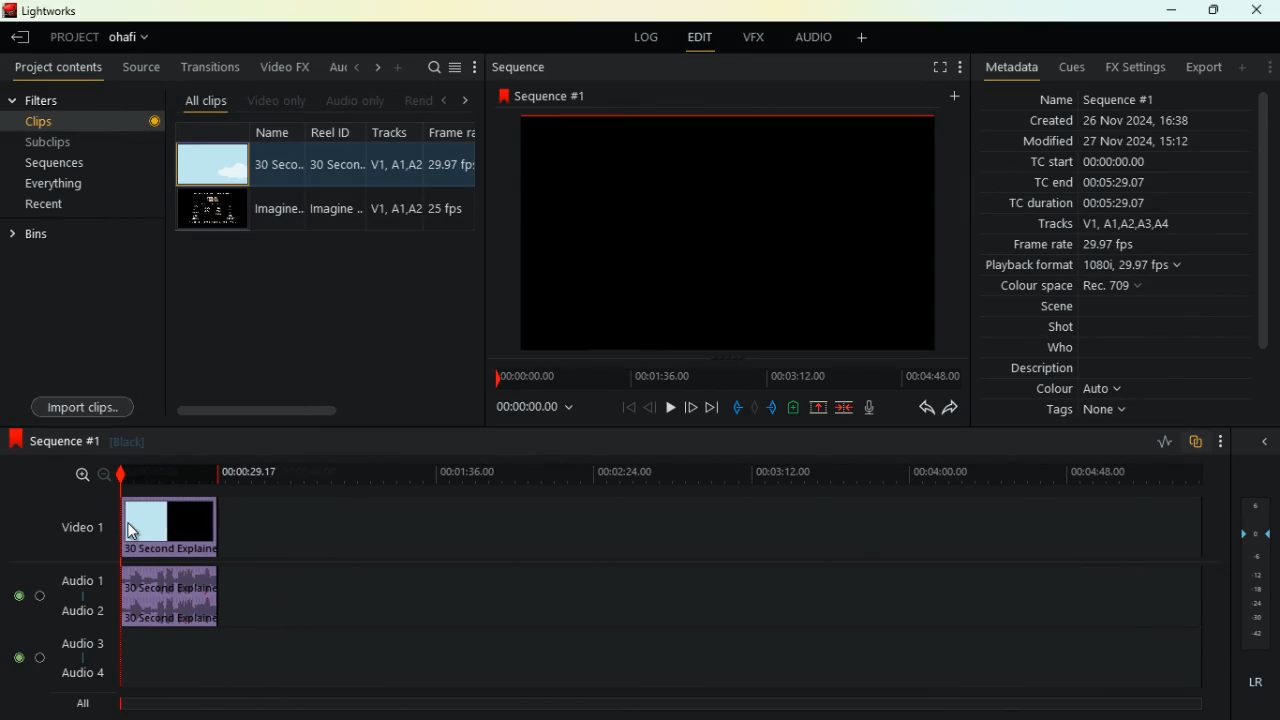 The image size is (1280, 720). I want to click on scene, so click(1060, 307).